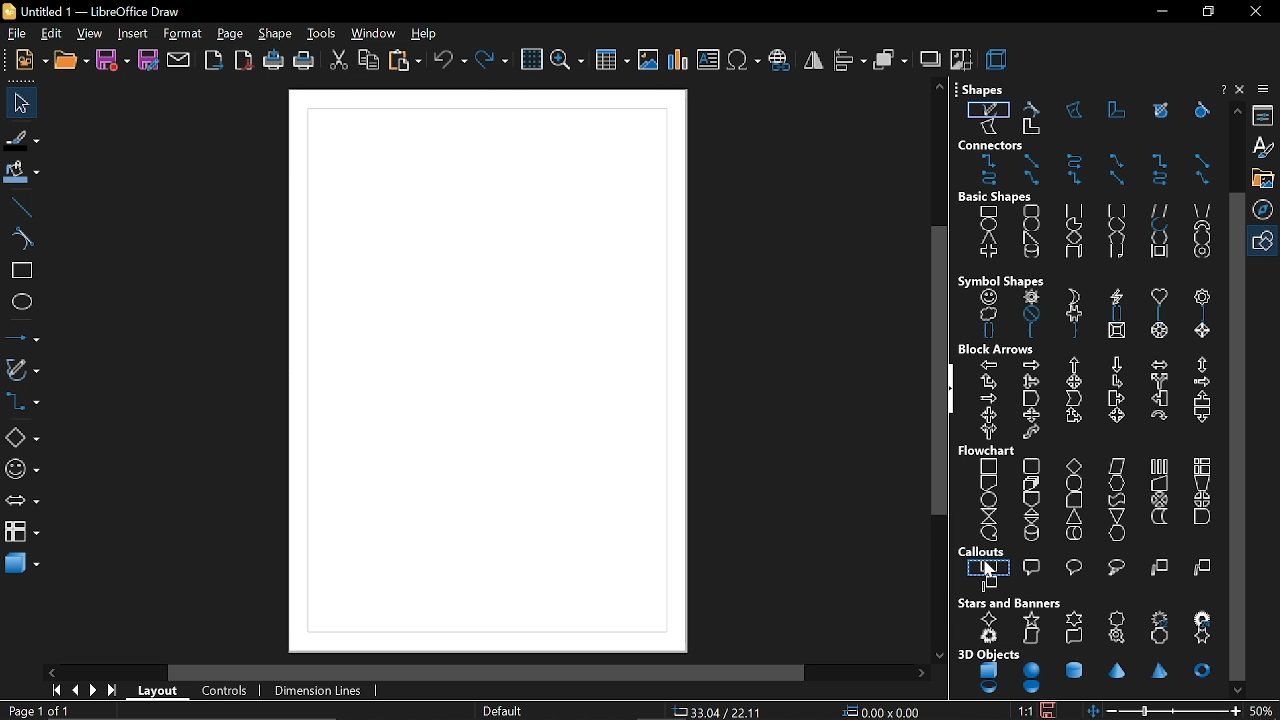 The height and width of the screenshot is (720, 1280). I want to click on cuboid, so click(1073, 256).